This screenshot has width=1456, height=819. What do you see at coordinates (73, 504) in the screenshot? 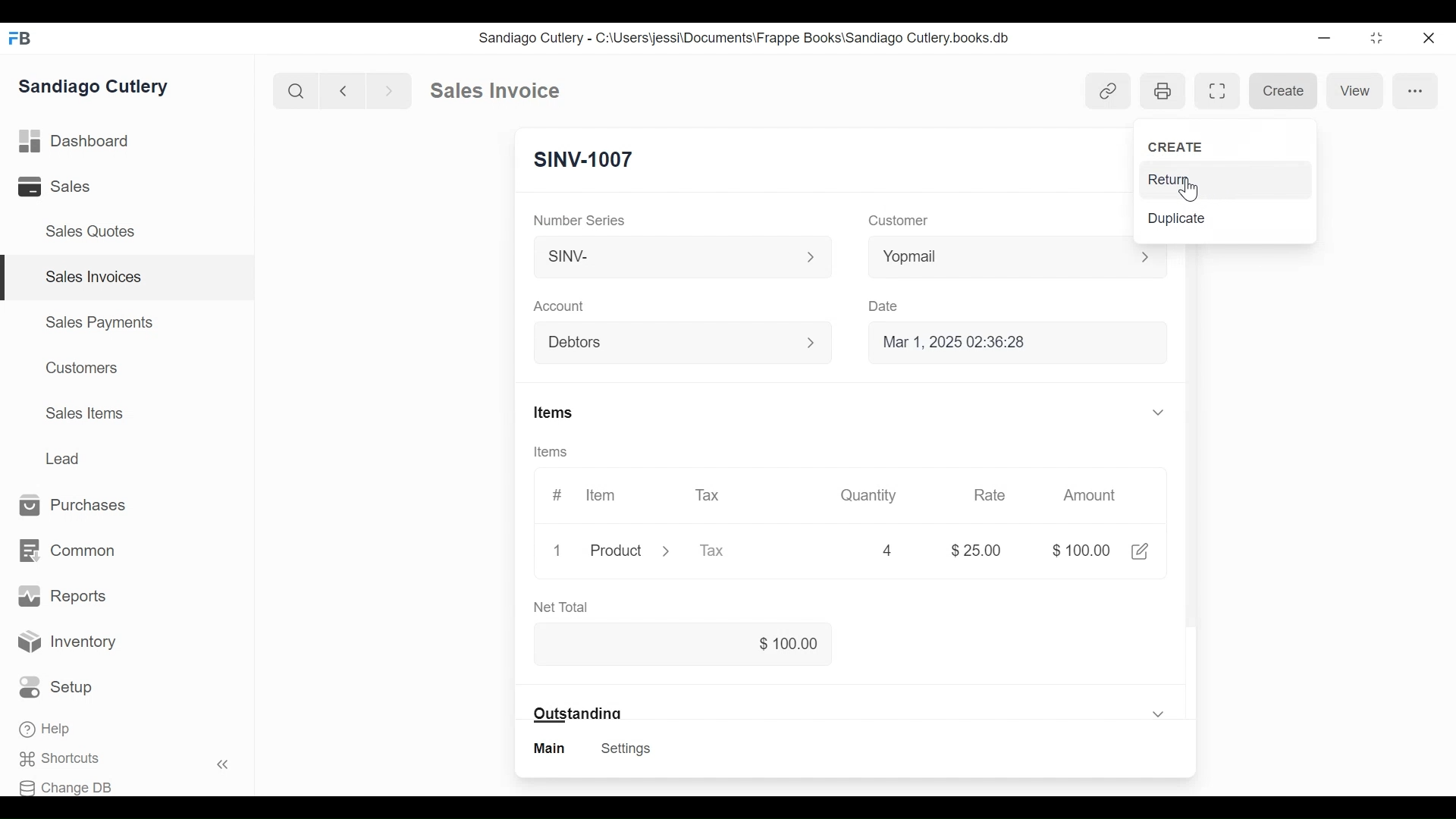
I see `Purchases` at bounding box center [73, 504].